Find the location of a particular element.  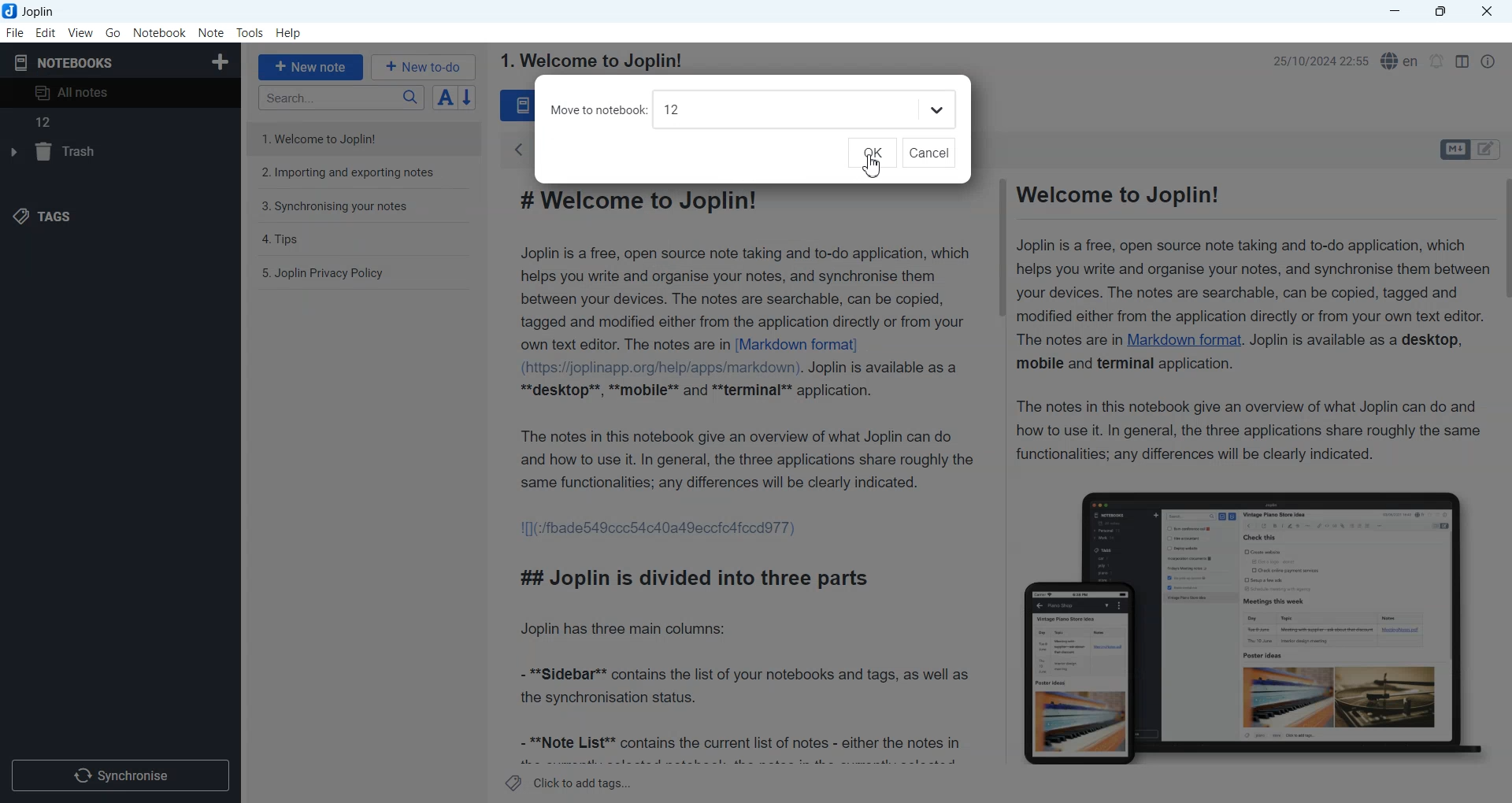

Toggle editors is located at coordinates (1454, 150).